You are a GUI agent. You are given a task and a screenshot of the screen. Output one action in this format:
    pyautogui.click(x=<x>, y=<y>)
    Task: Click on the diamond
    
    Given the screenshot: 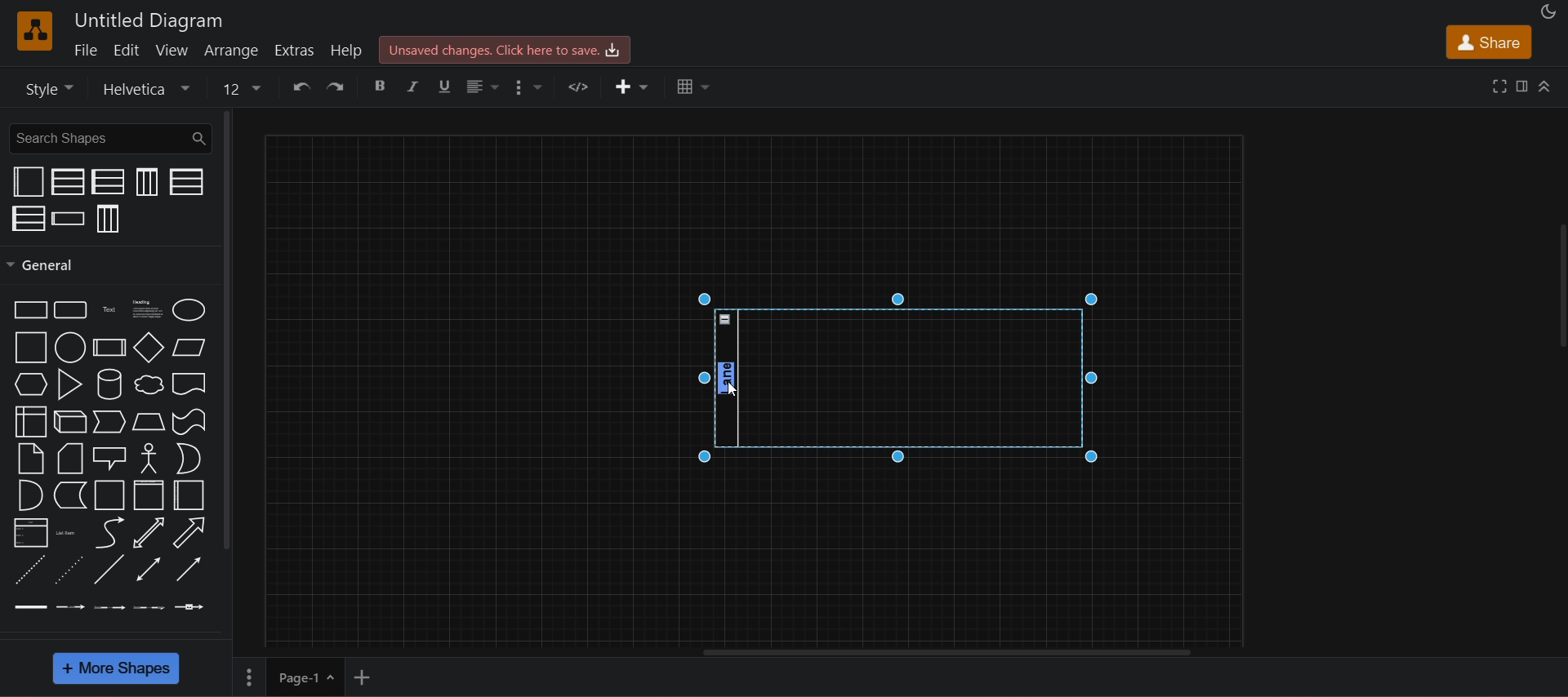 What is the action you would take?
    pyautogui.click(x=149, y=347)
    